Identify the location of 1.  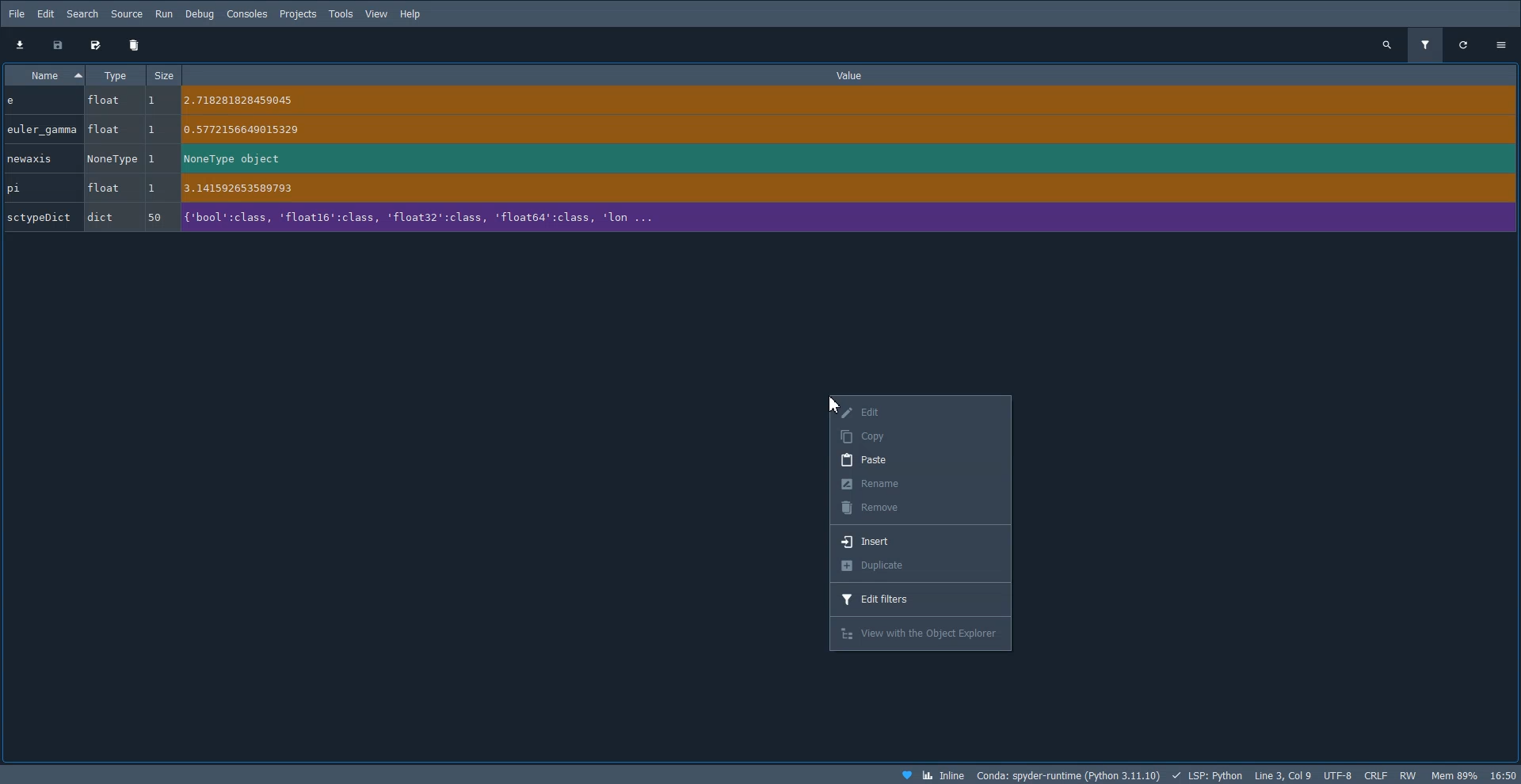
(151, 100).